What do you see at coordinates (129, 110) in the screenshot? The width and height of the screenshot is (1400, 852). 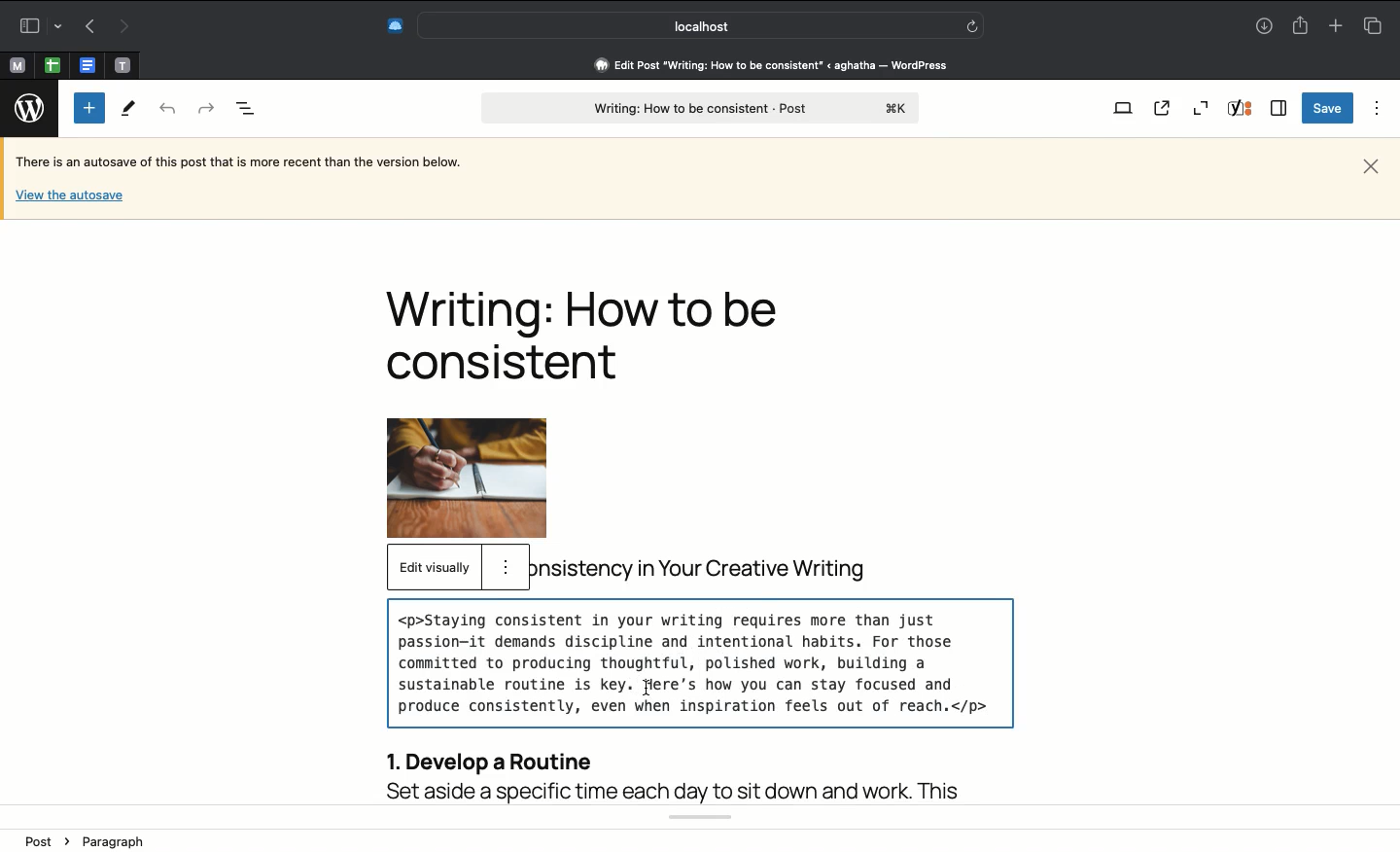 I see `Tools` at bounding box center [129, 110].